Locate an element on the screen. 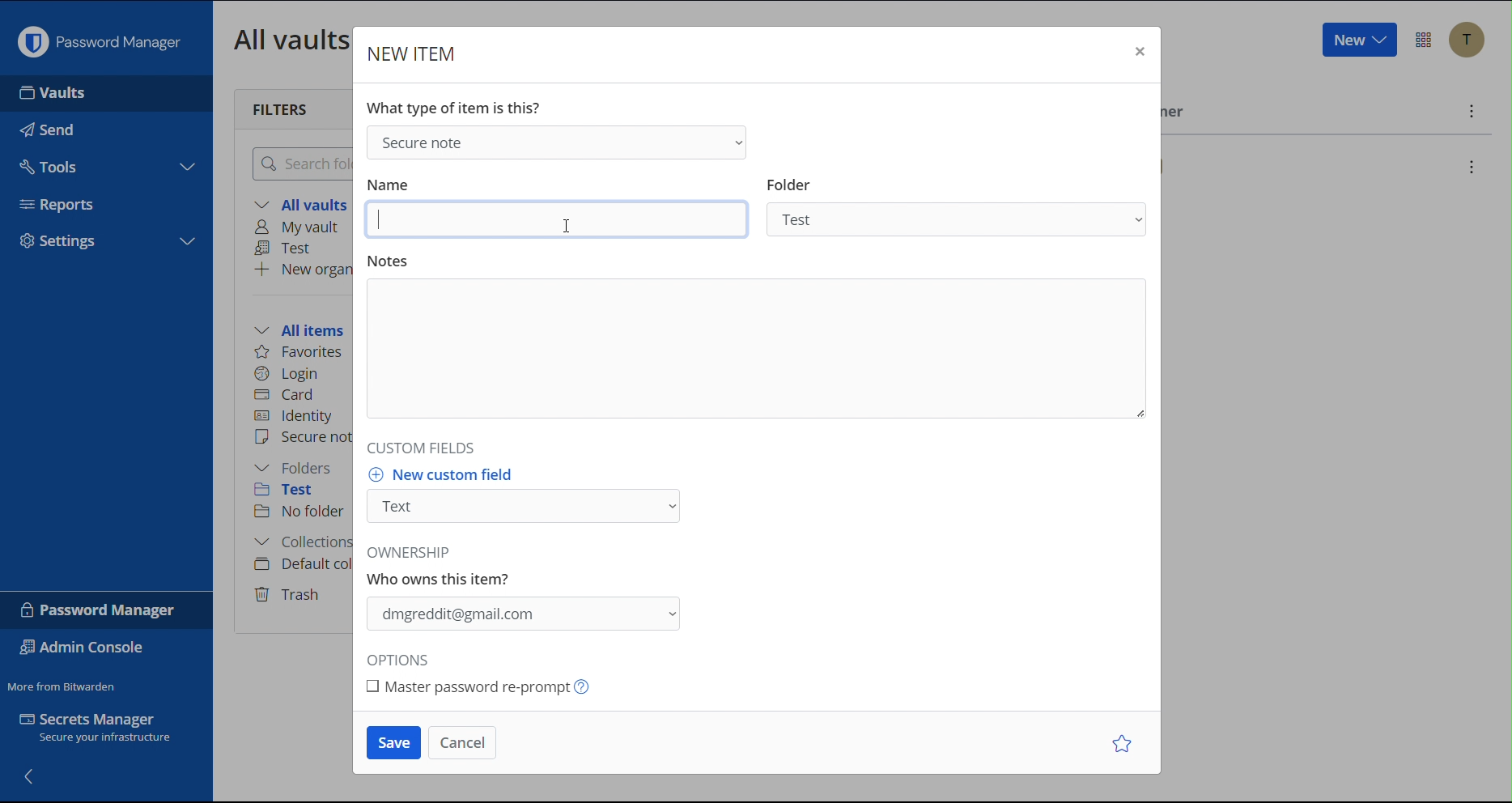  New organization is located at coordinates (302, 269).